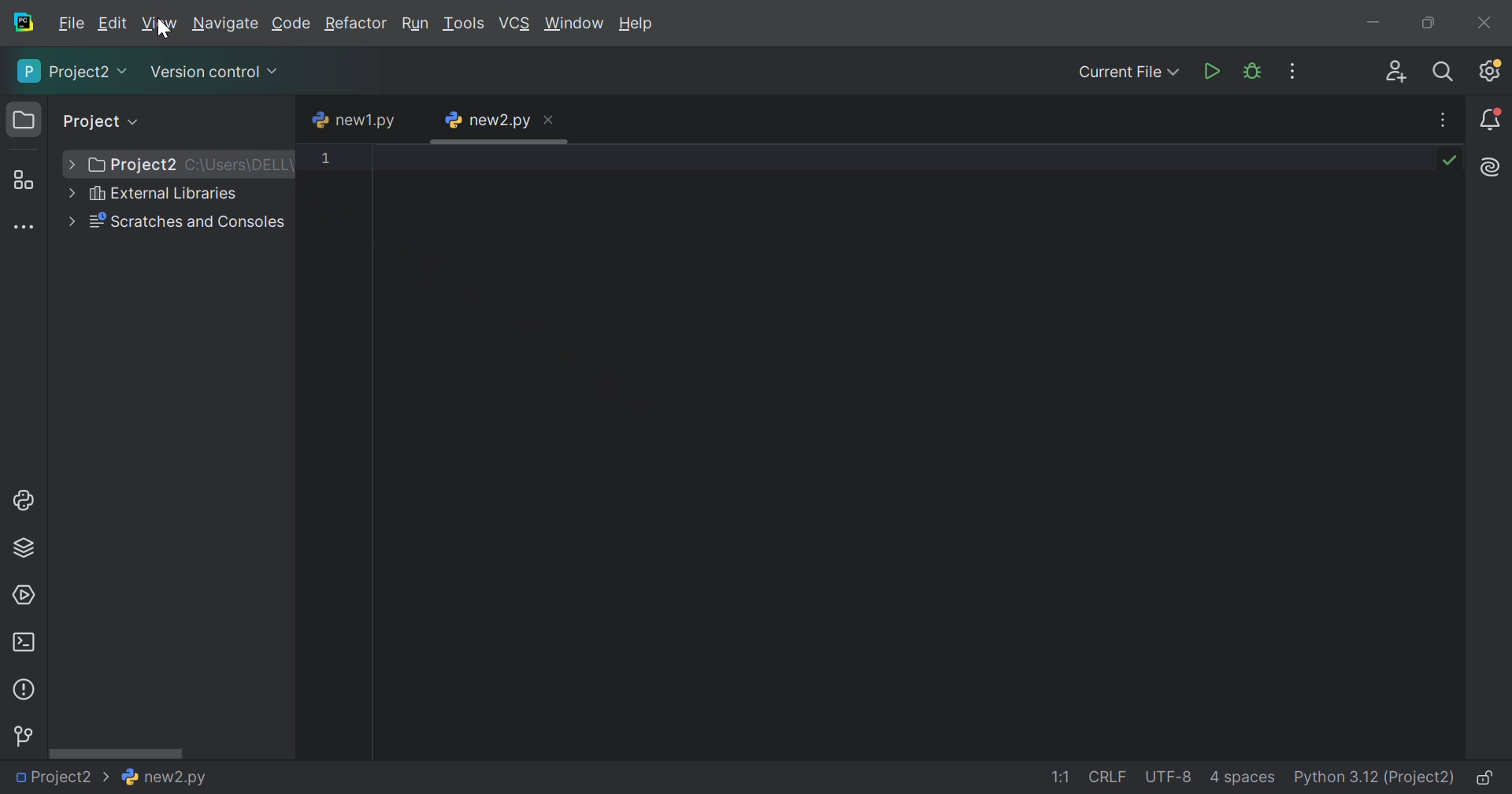  Describe the element at coordinates (26, 733) in the screenshot. I see `Version Control` at that location.